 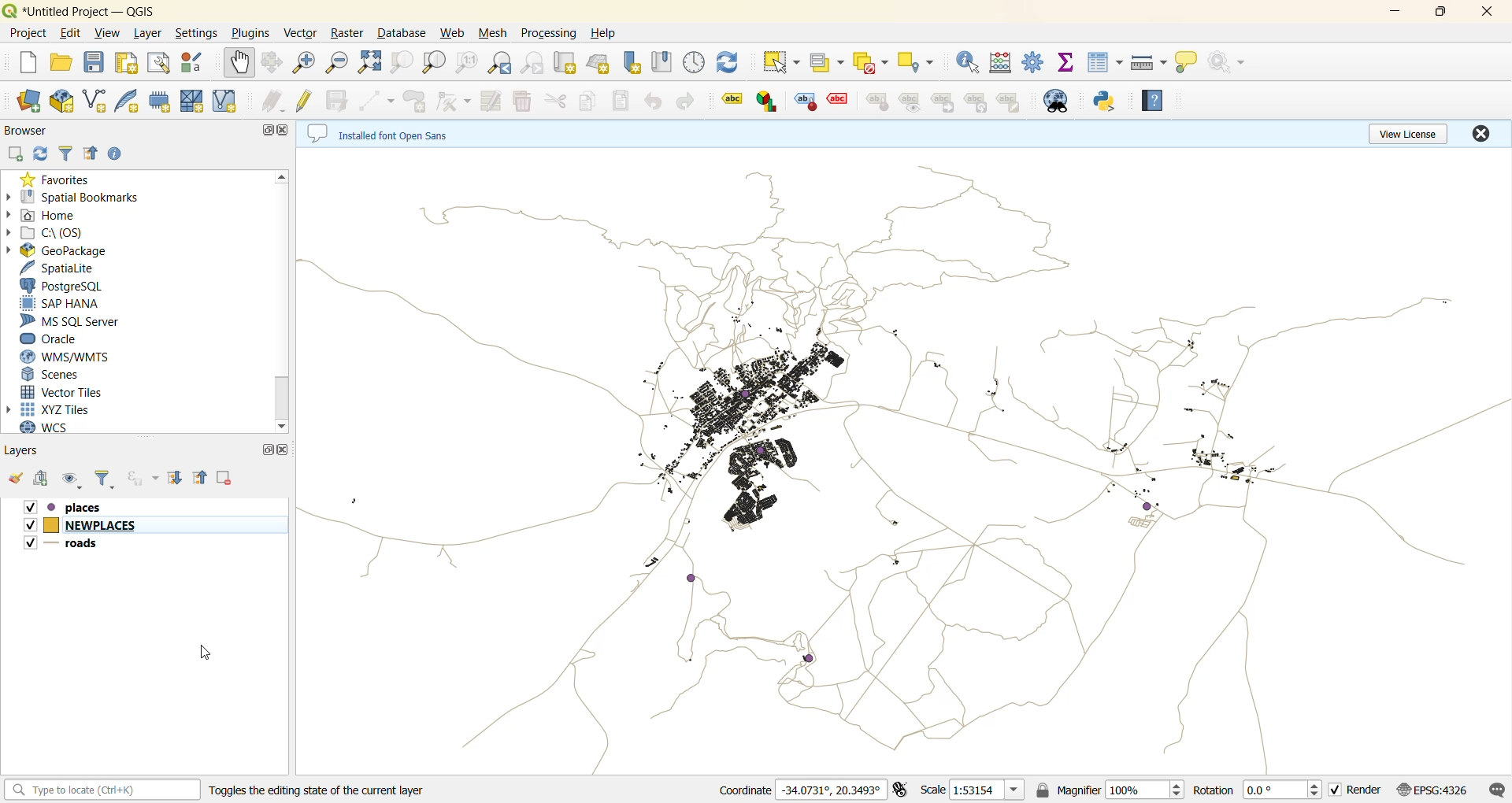 I want to click on select location, so click(x=914, y=60).